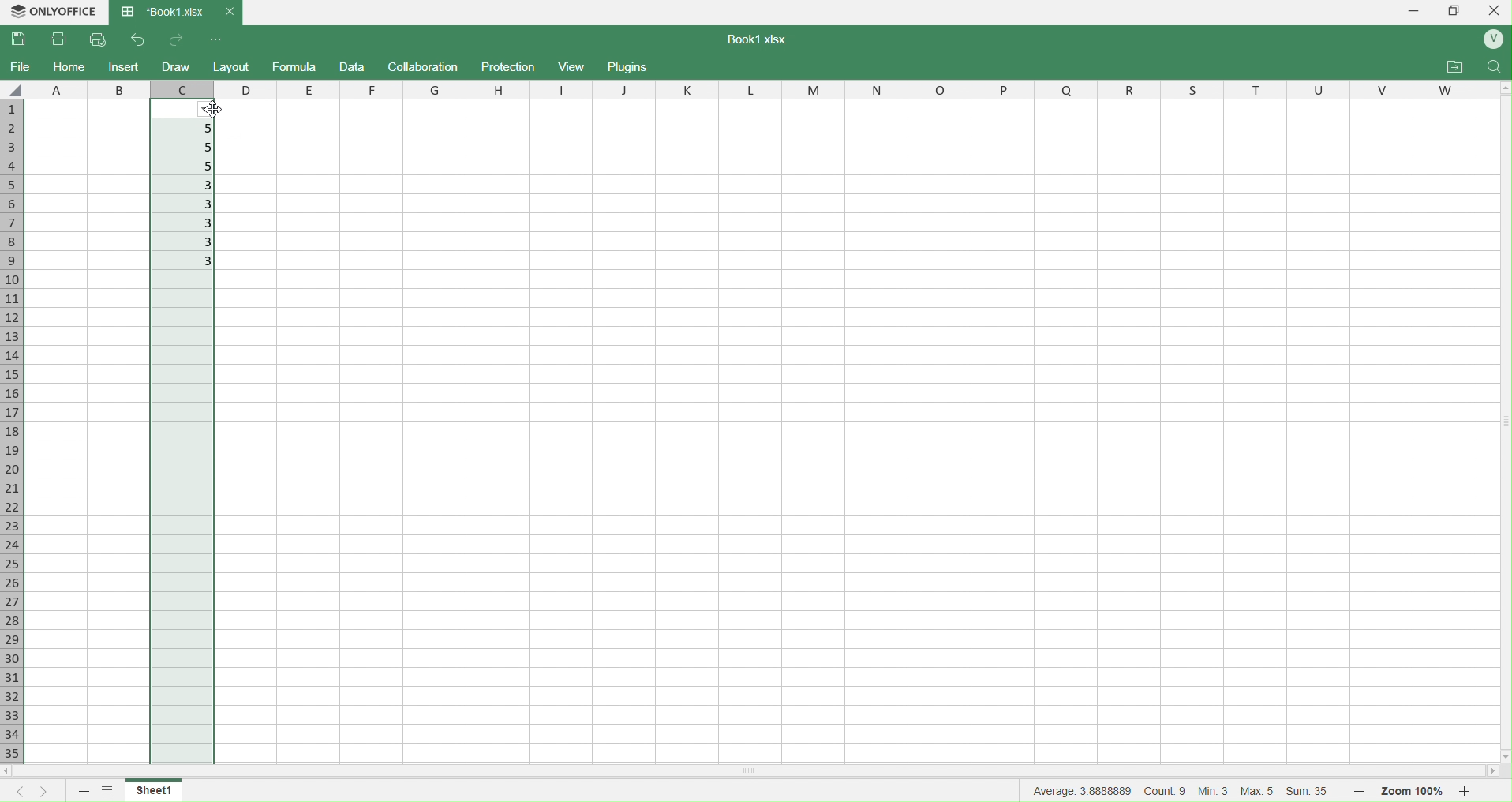 The image size is (1512, 802). Describe the element at coordinates (866, 770) in the screenshot. I see `Scrollbar` at that location.